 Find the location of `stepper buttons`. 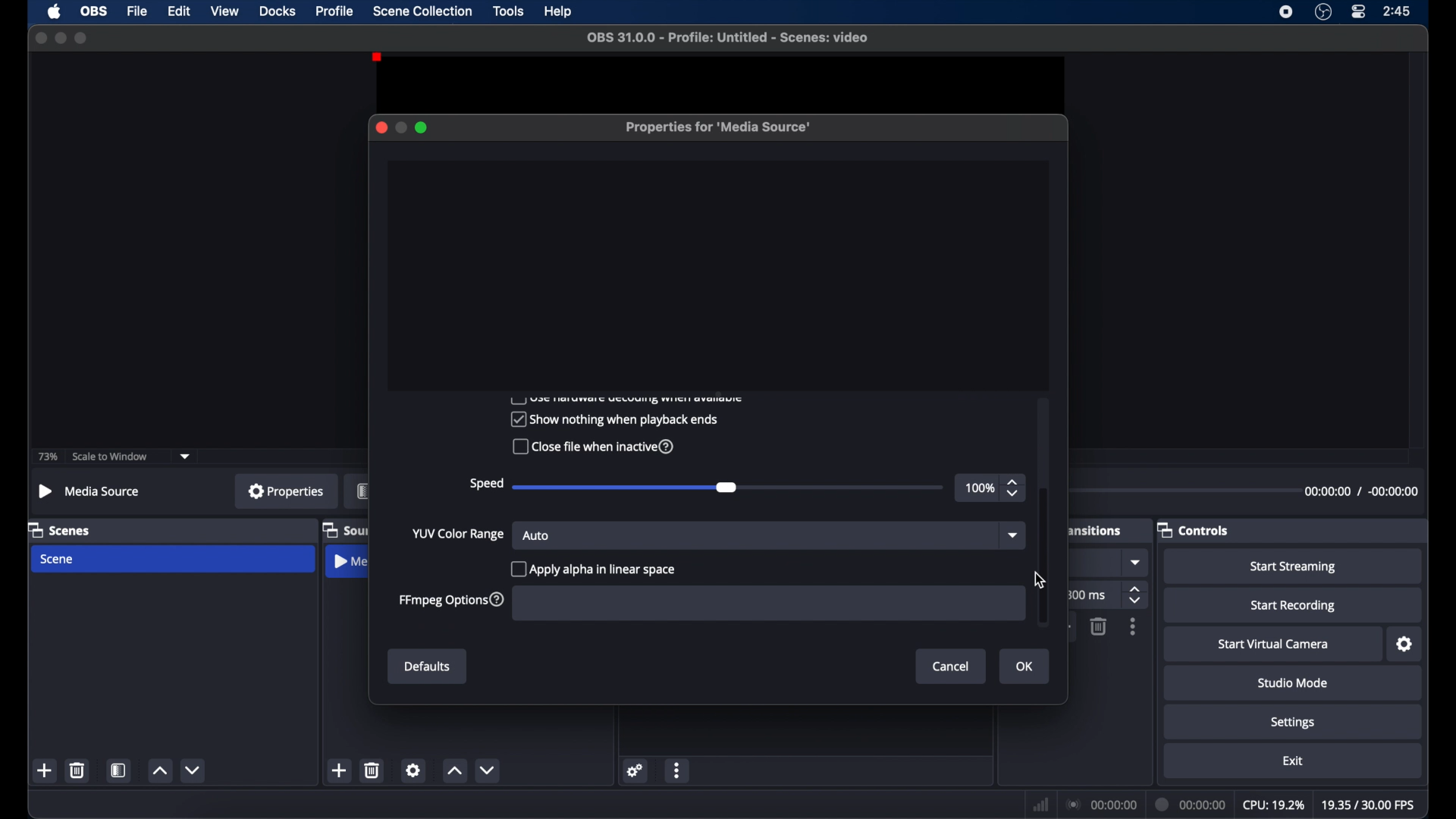

stepper buttons is located at coordinates (1015, 488).